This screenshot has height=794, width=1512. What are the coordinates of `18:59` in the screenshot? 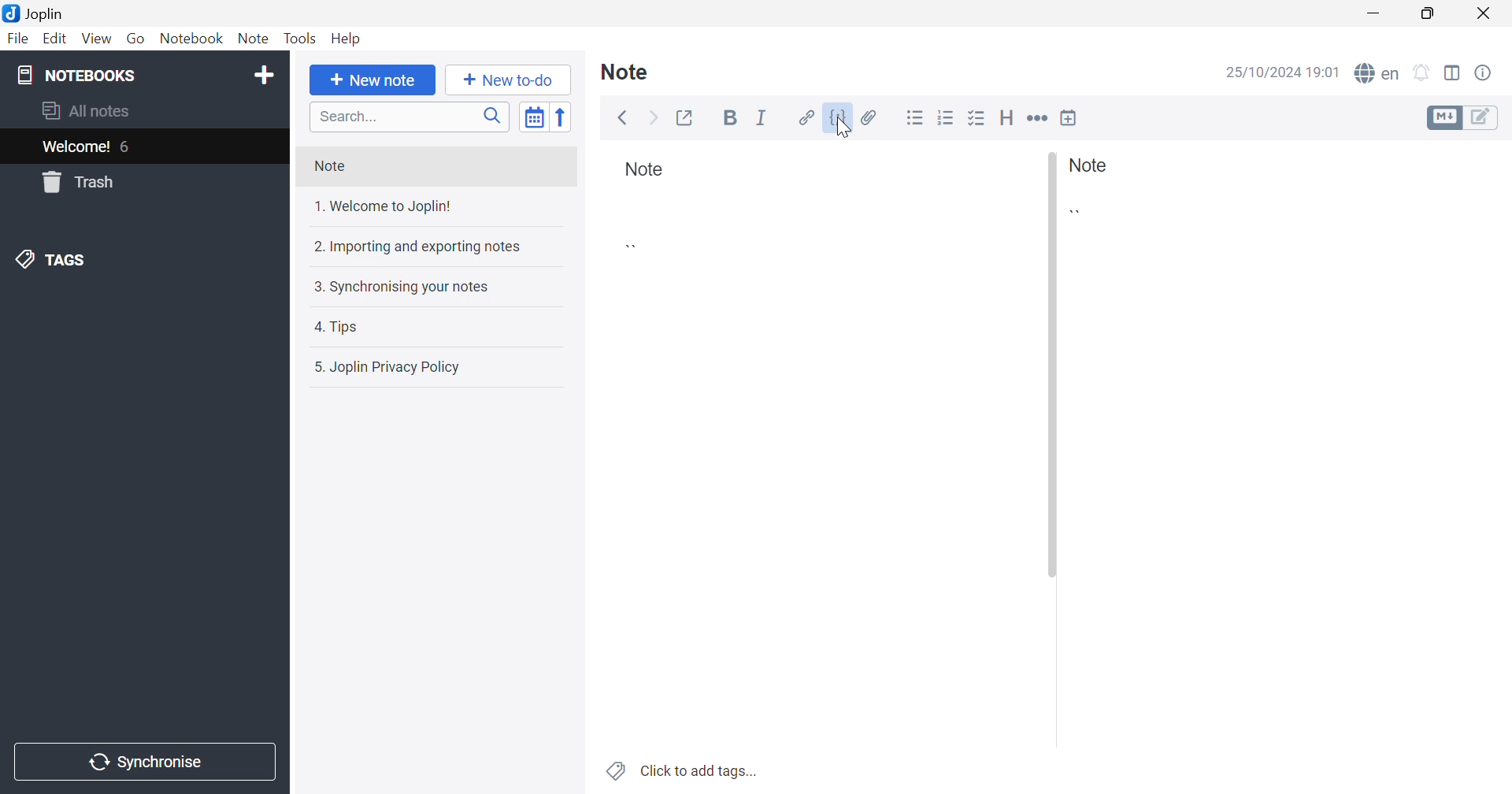 It's located at (1325, 74).